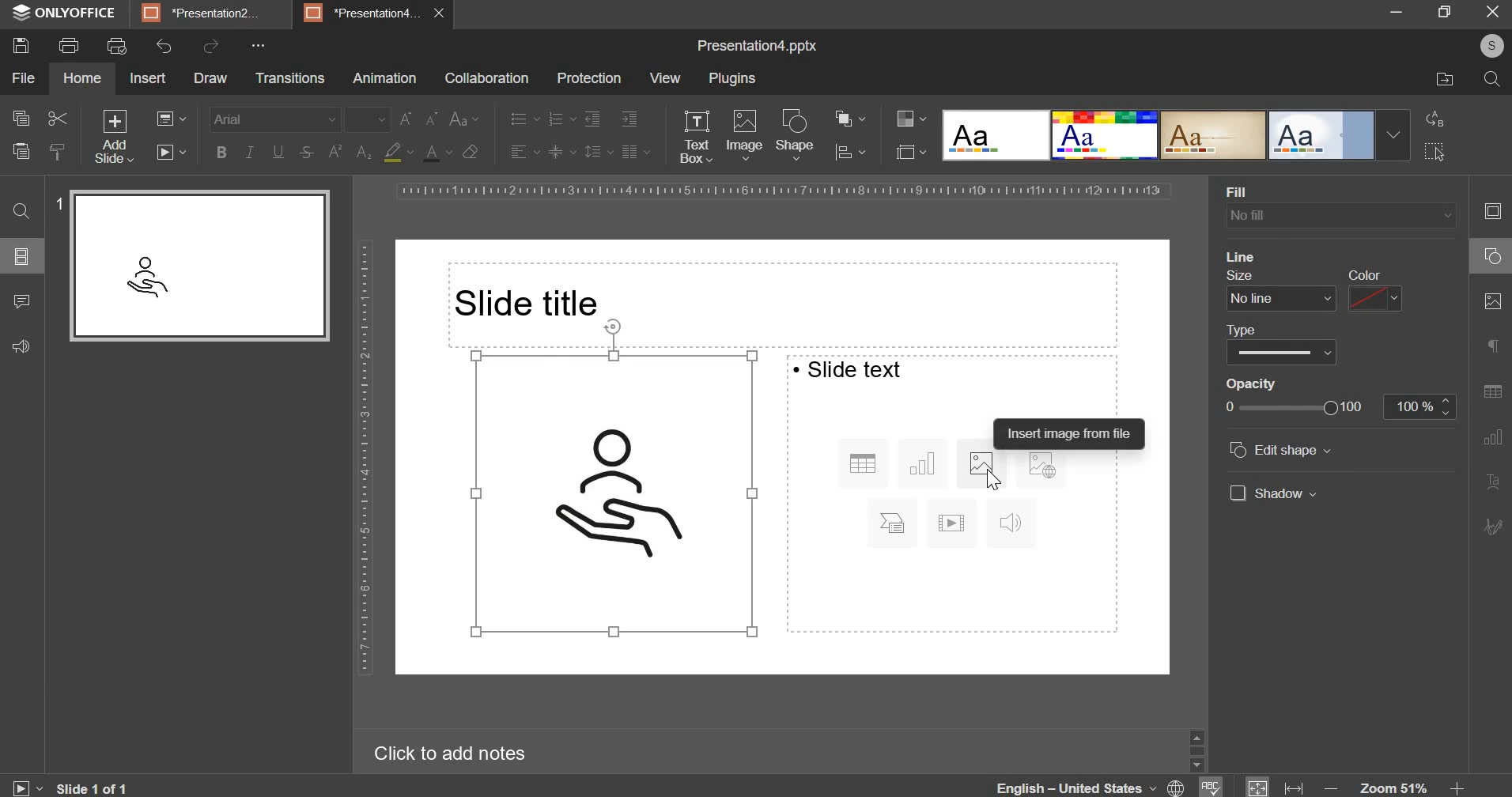  Describe the element at coordinates (20, 119) in the screenshot. I see `copy` at that location.